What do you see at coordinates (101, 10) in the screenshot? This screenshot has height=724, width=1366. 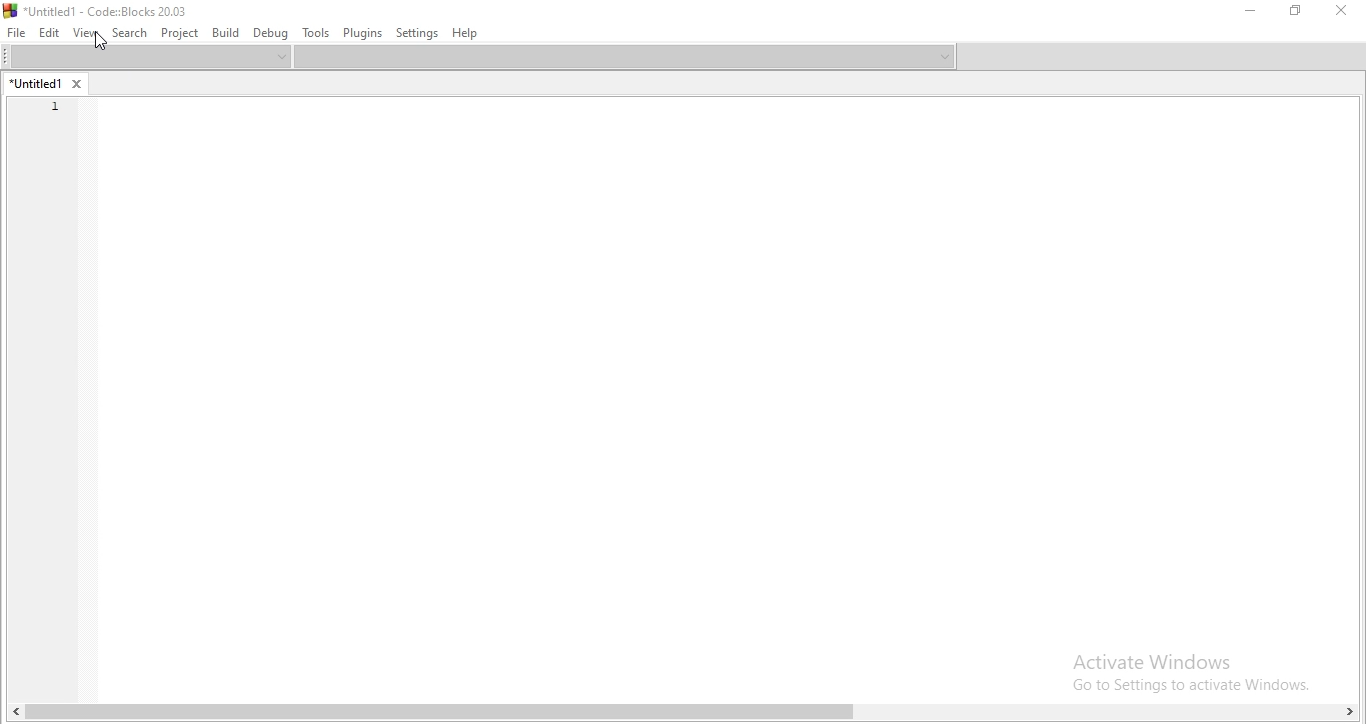 I see `*Untitled! - Code::Blocks 20.03` at bounding box center [101, 10].